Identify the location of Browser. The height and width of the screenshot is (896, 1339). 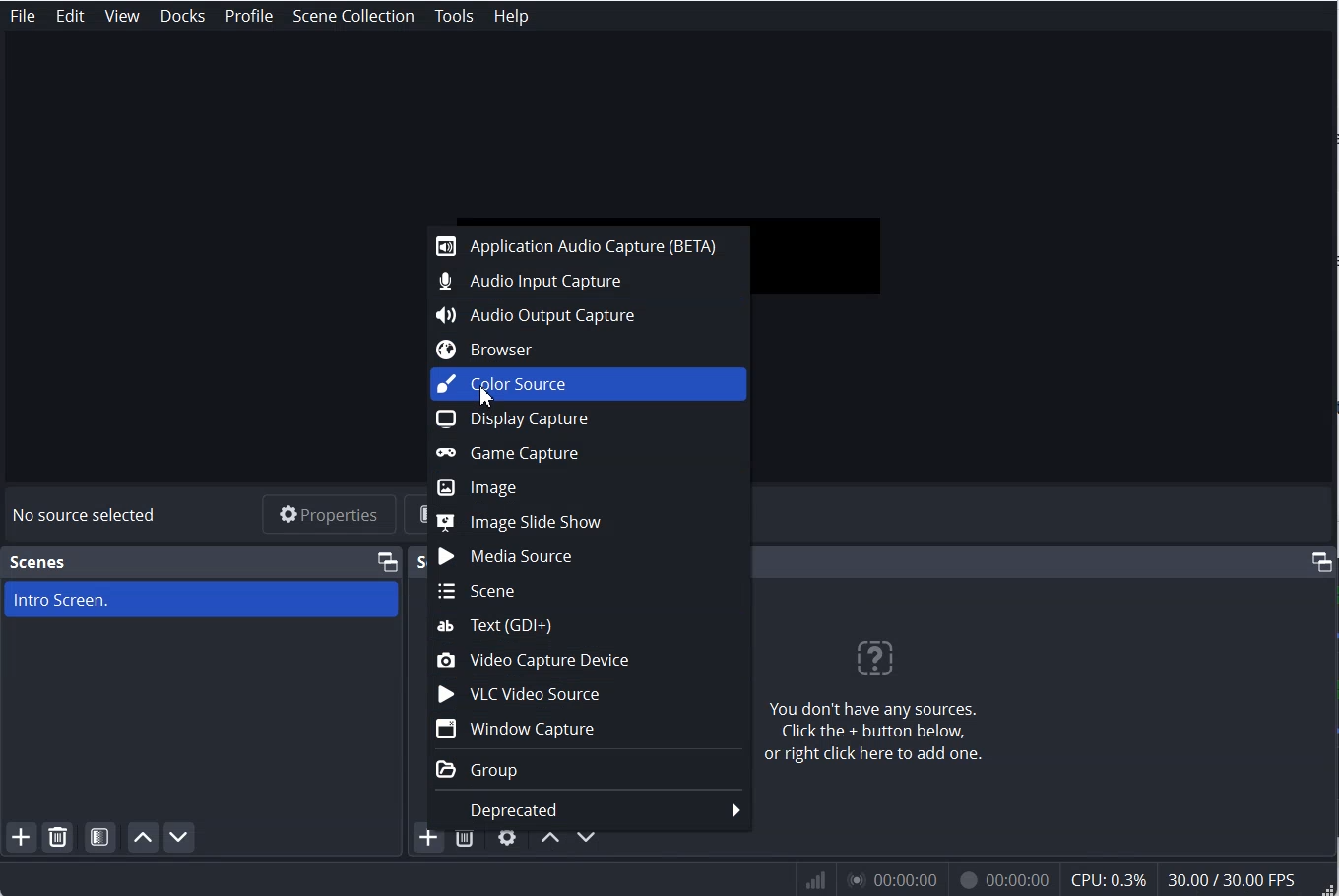
(590, 351).